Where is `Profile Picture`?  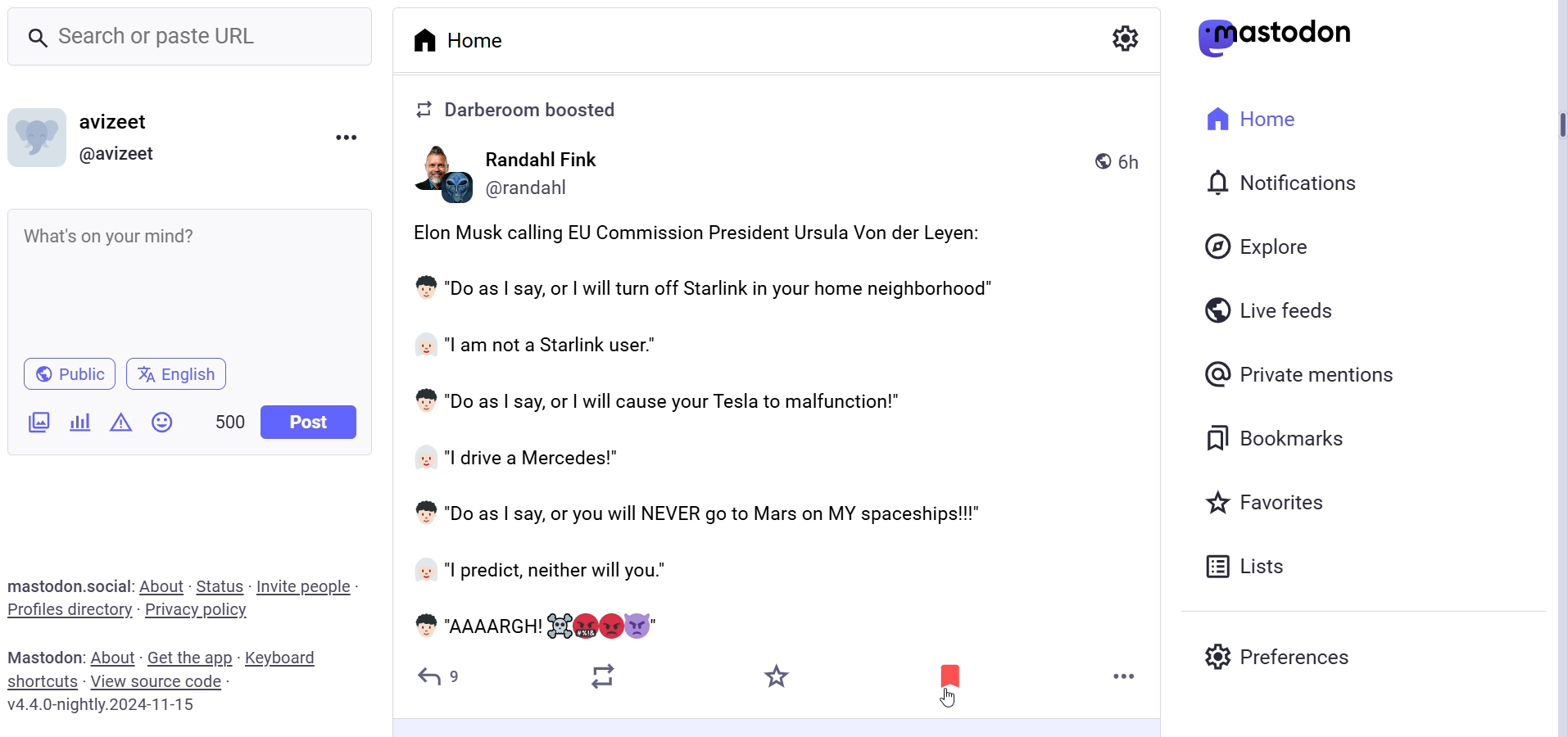 Profile Picture is located at coordinates (34, 137).